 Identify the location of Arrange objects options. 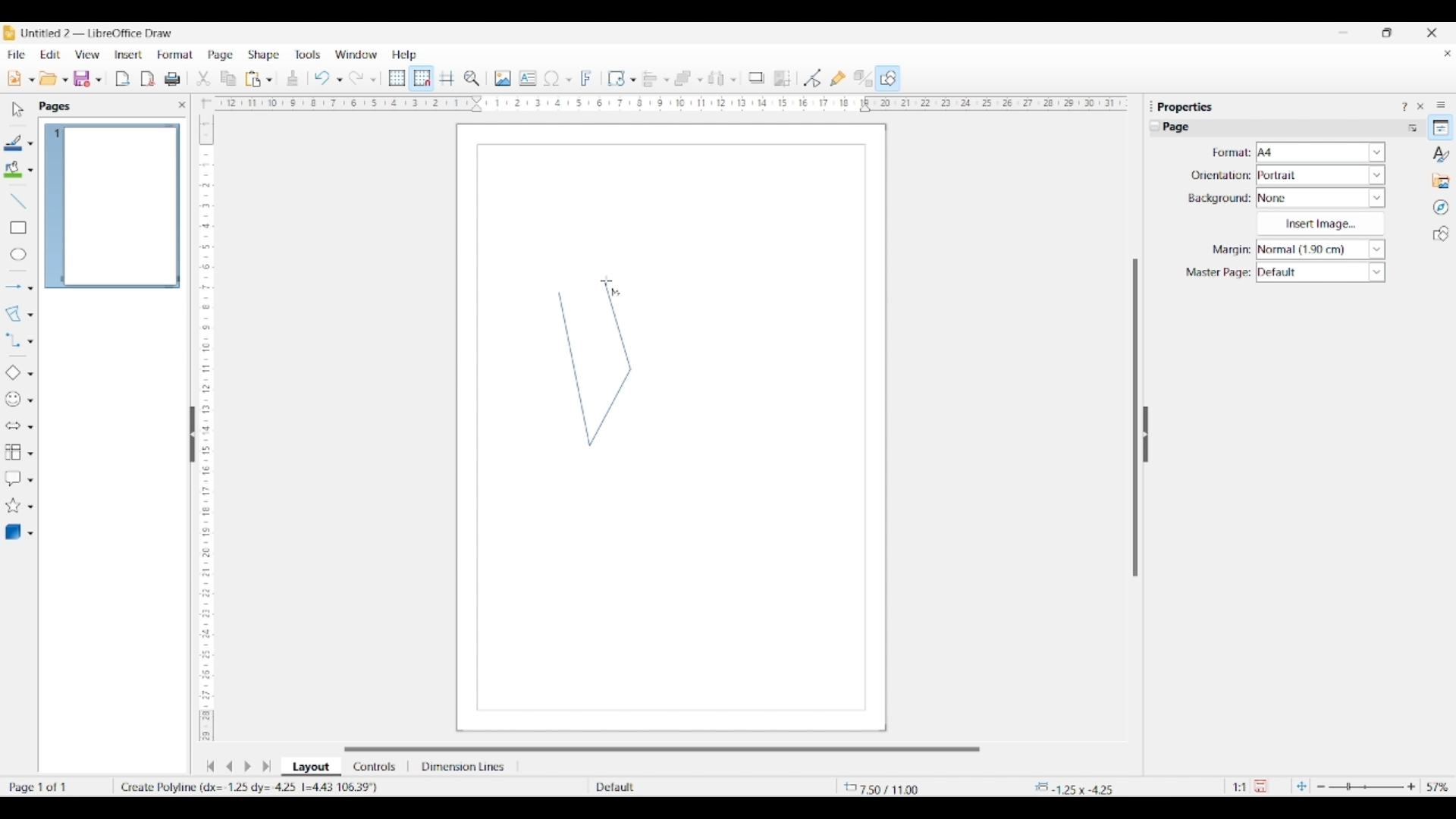
(700, 80).